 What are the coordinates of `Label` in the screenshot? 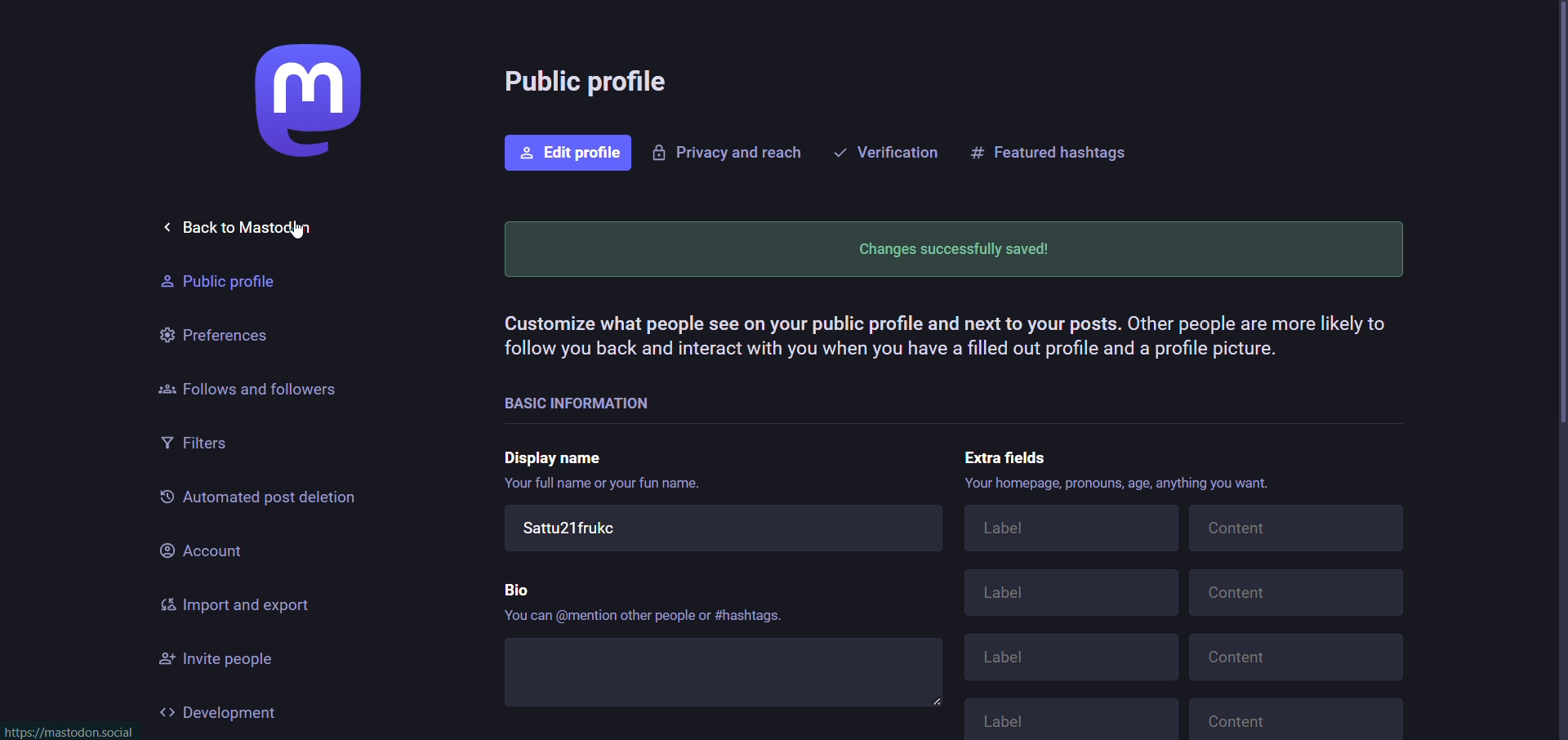 It's located at (1071, 531).